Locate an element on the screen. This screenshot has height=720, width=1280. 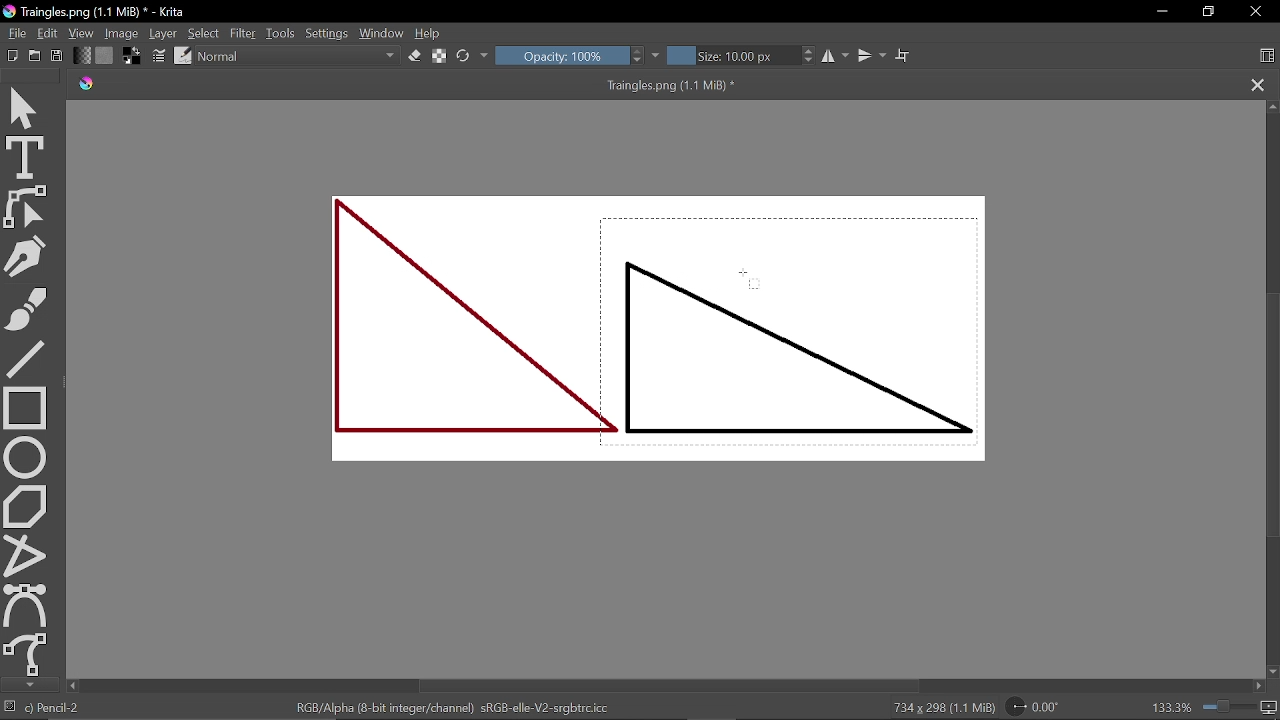
Minimize is located at coordinates (1161, 12).